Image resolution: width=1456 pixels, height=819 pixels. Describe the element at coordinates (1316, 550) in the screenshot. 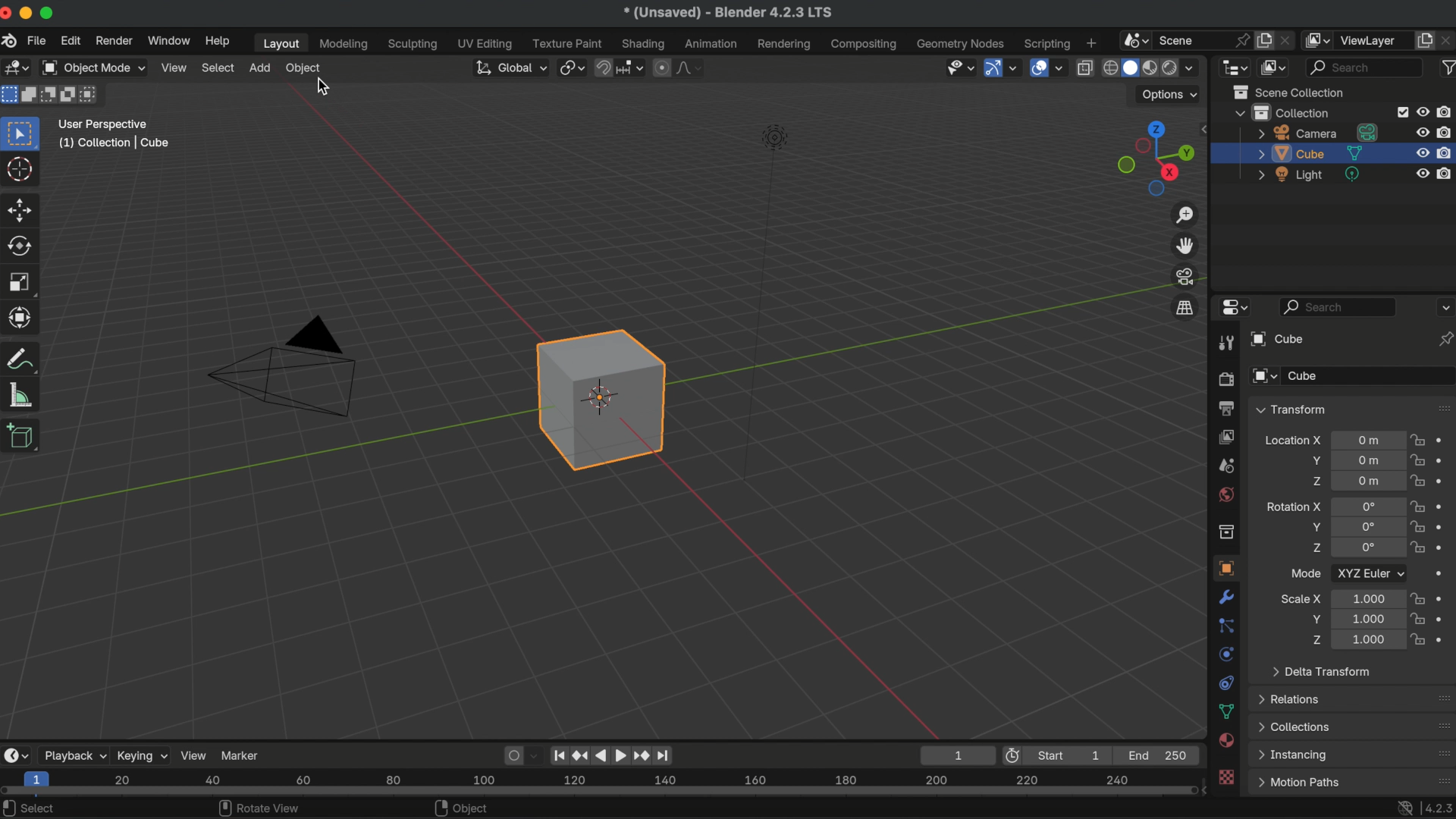

I see `rotation Z` at that location.